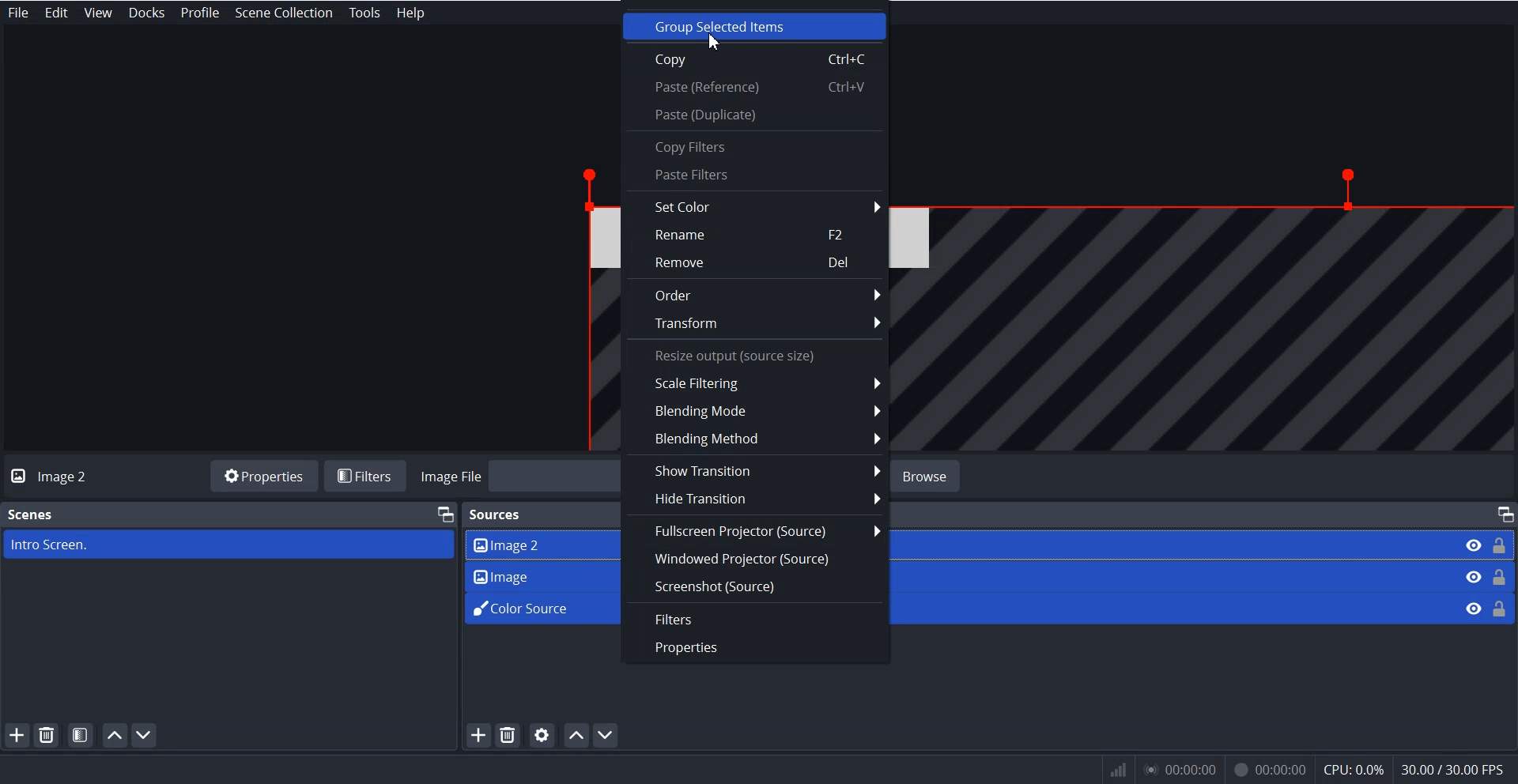 The image size is (1518, 784). What do you see at coordinates (755, 145) in the screenshot?
I see `Copy Filters` at bounding box center [755, 145].